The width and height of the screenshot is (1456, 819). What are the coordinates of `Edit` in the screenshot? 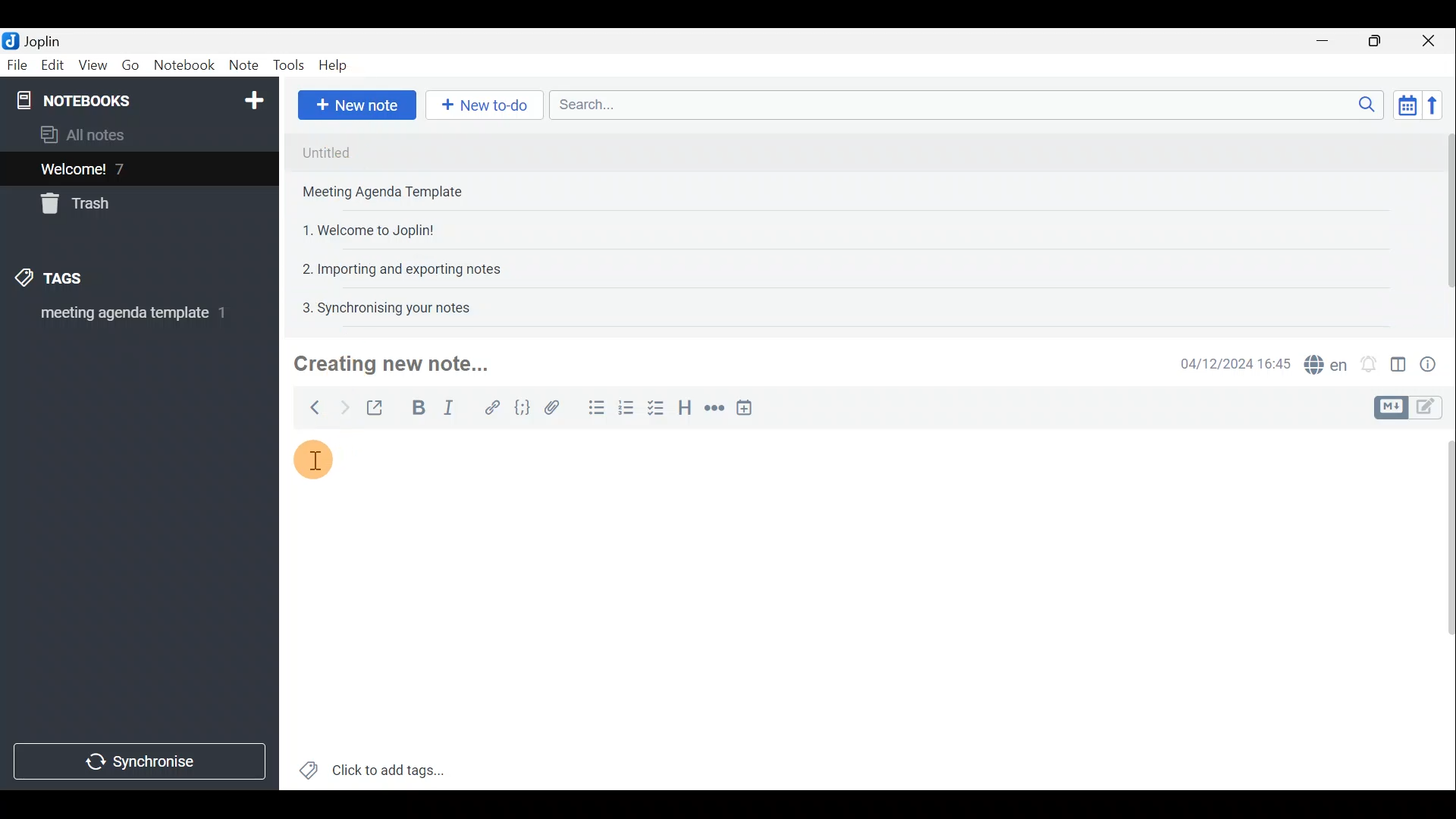 It's located at (49, 66).